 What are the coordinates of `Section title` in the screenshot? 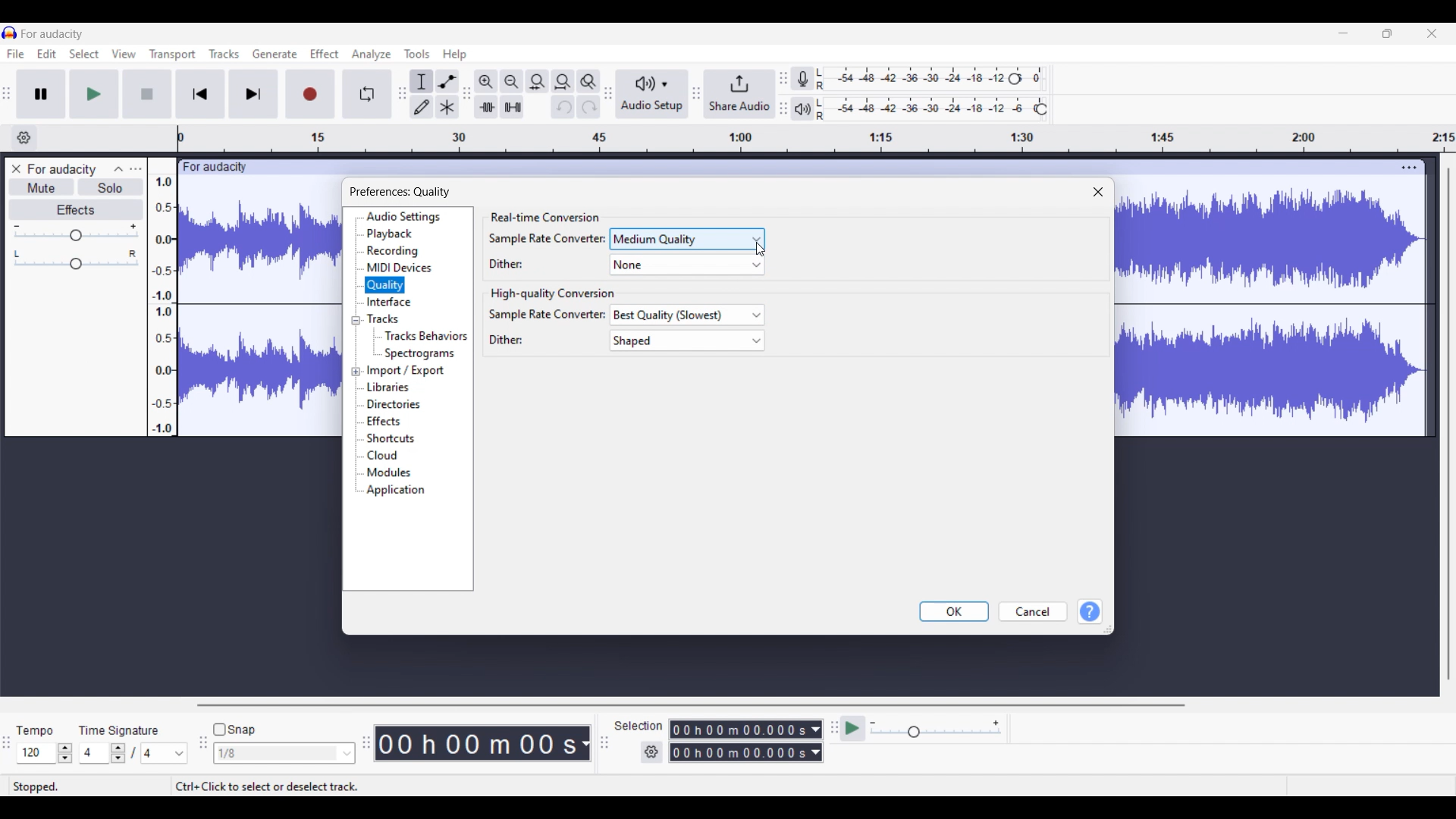 It's located at (544, 218).